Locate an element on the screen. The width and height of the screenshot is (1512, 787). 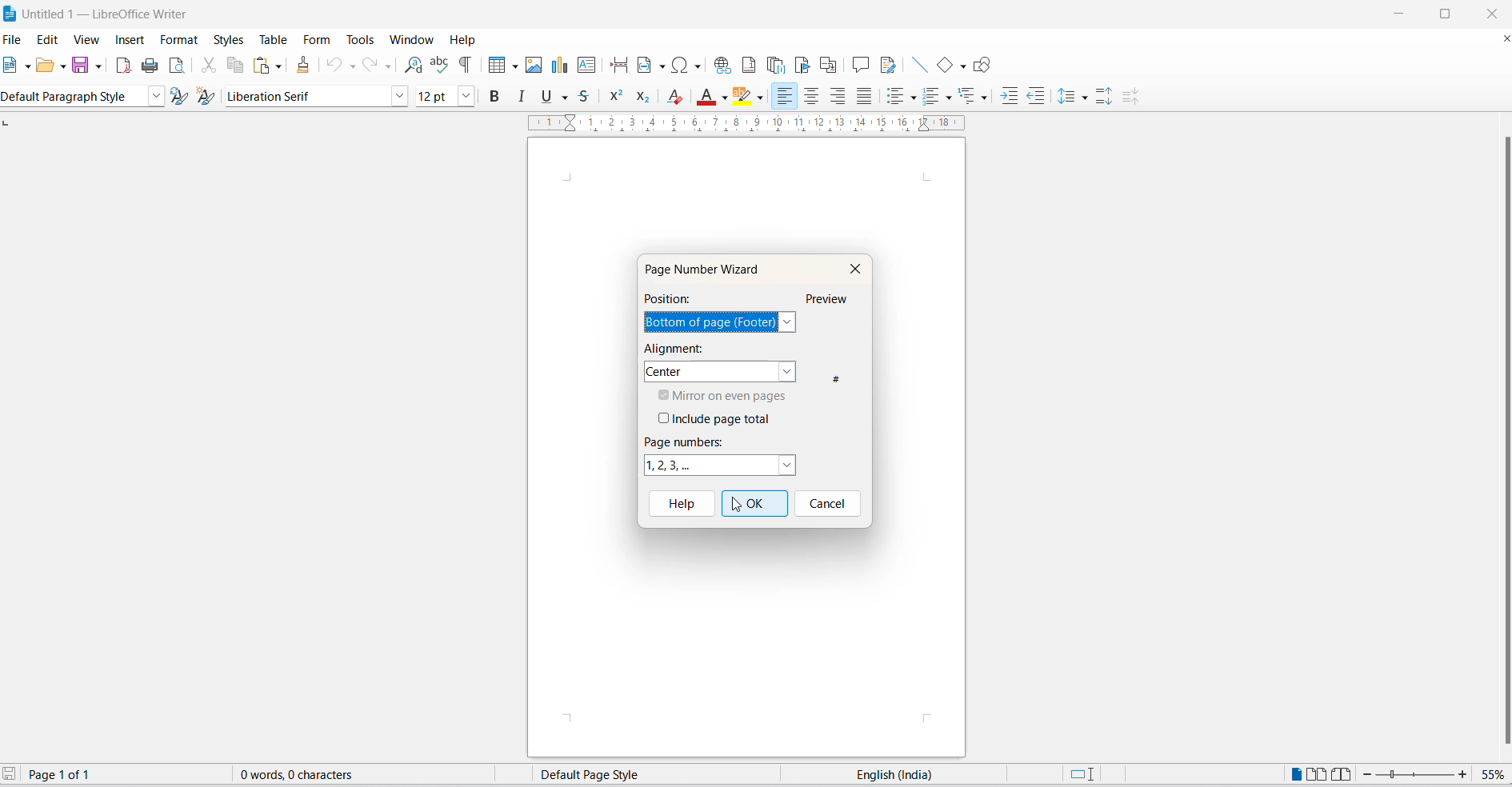
insert table is located at coordinates (492, 67).